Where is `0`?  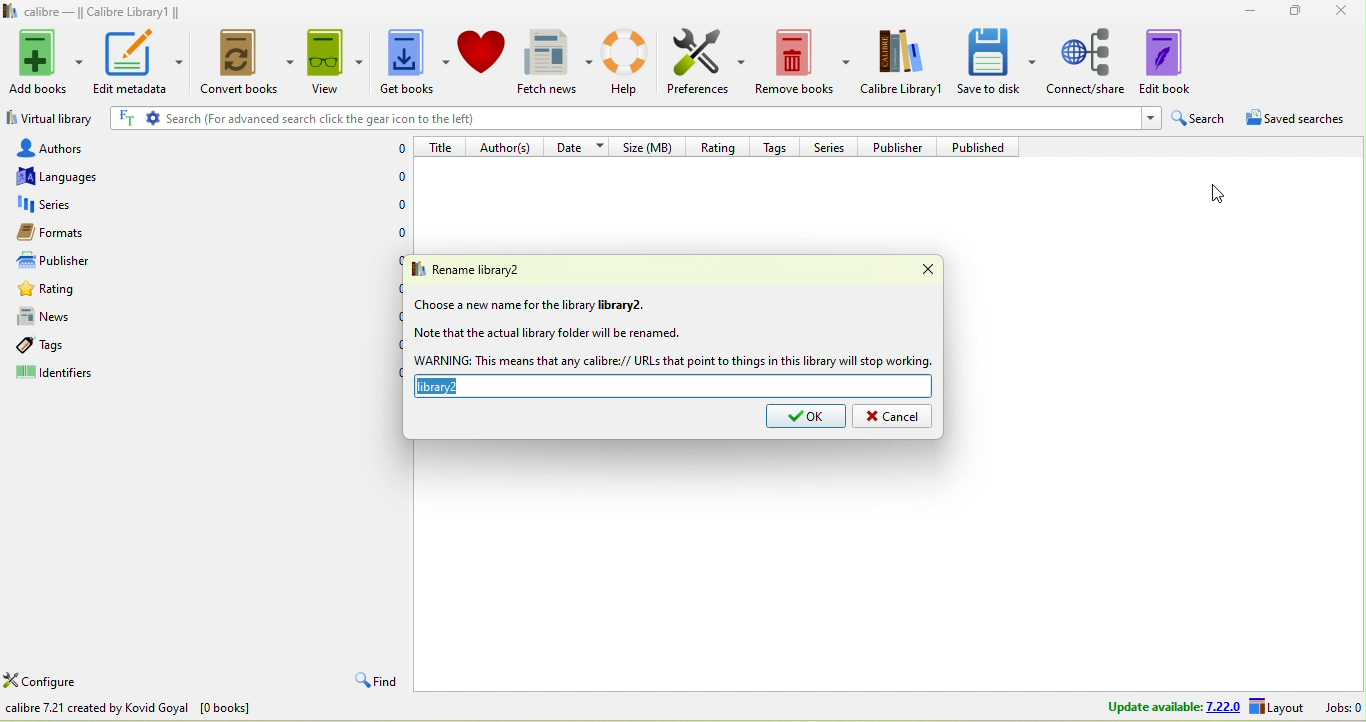 0 is located at coordinates (401, 179).